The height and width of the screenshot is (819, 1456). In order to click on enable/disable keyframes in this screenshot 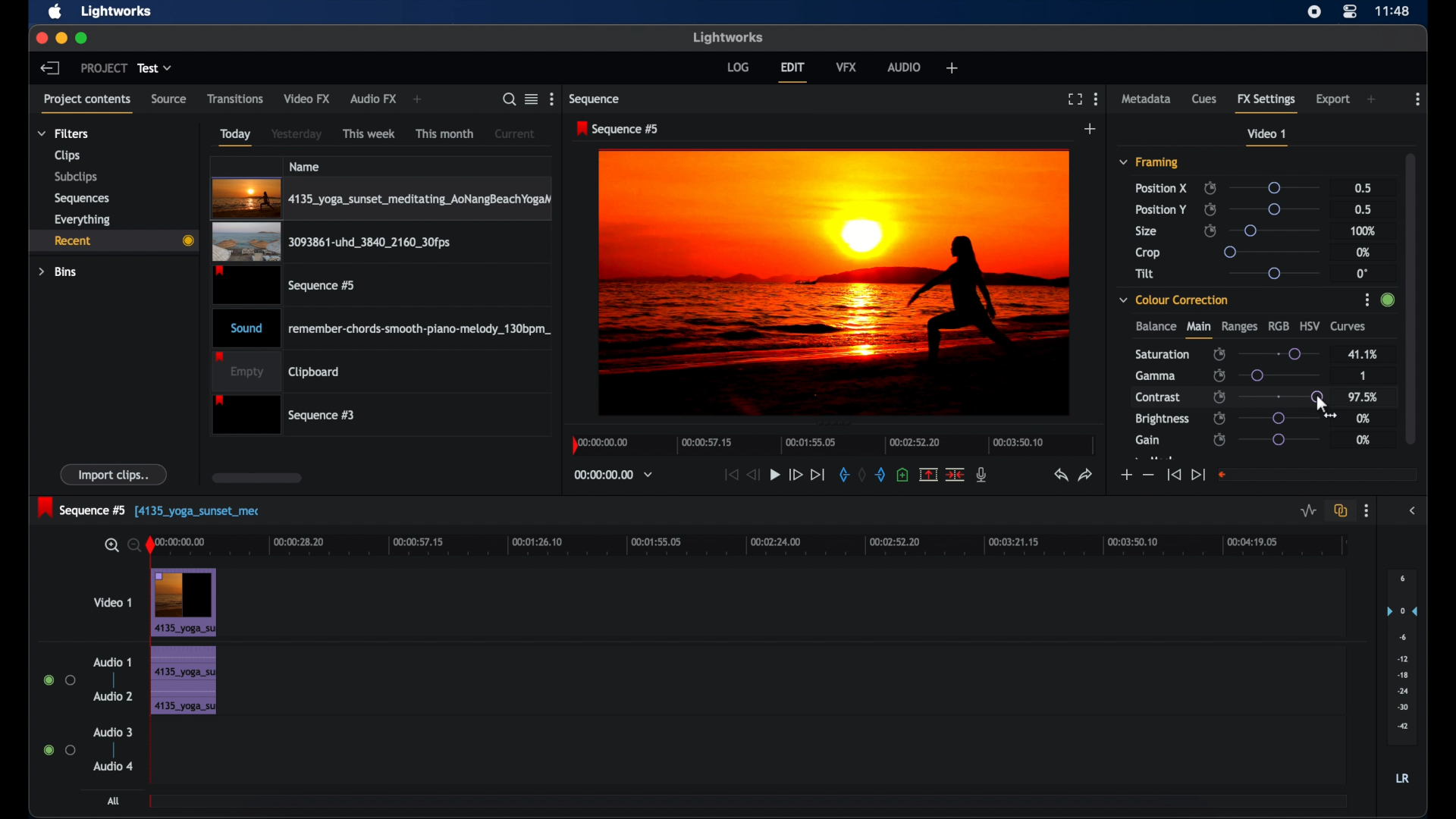, I will do `click(1219, 375)`.